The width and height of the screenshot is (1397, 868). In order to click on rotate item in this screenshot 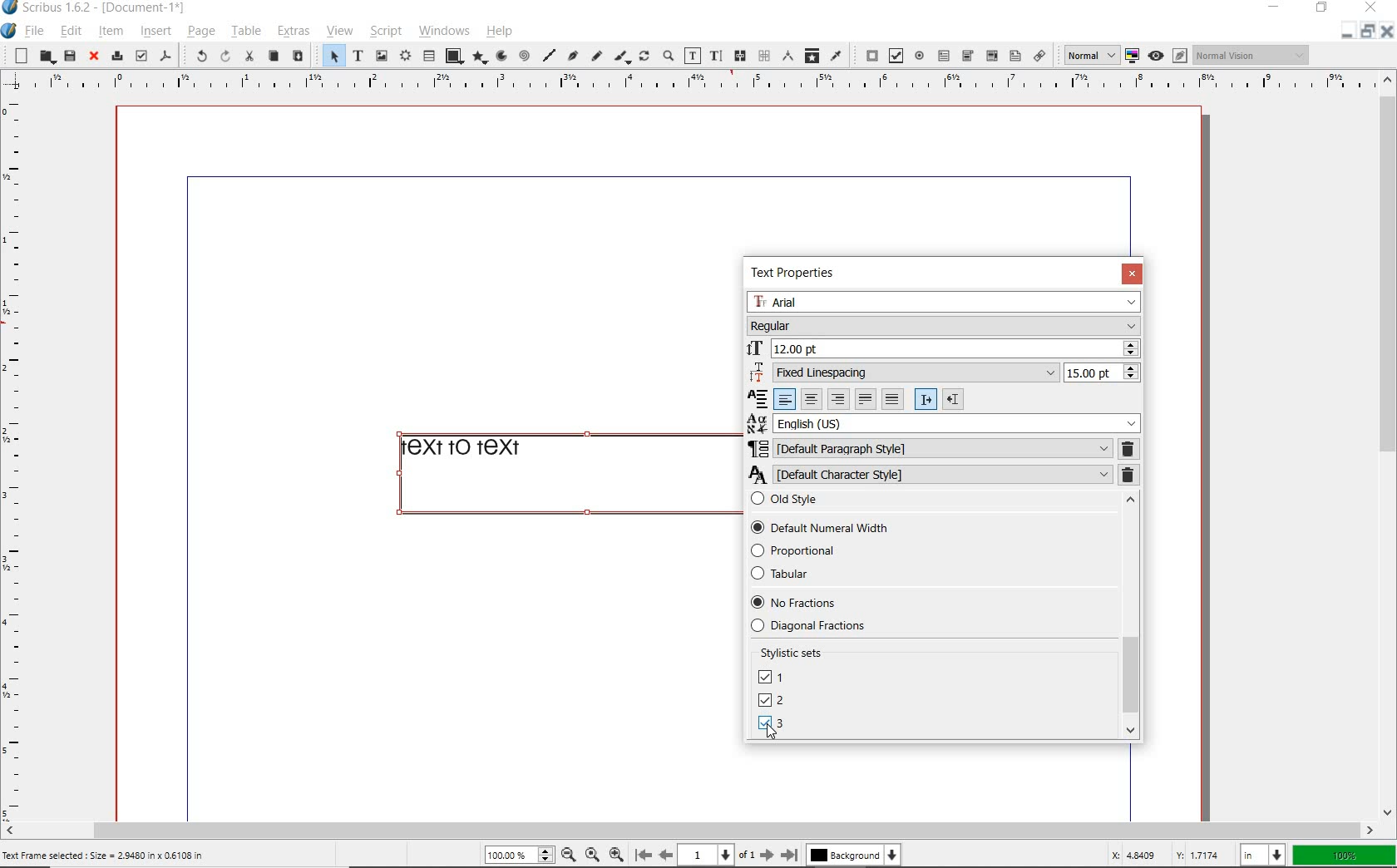, I will do `click(644, 57)`.